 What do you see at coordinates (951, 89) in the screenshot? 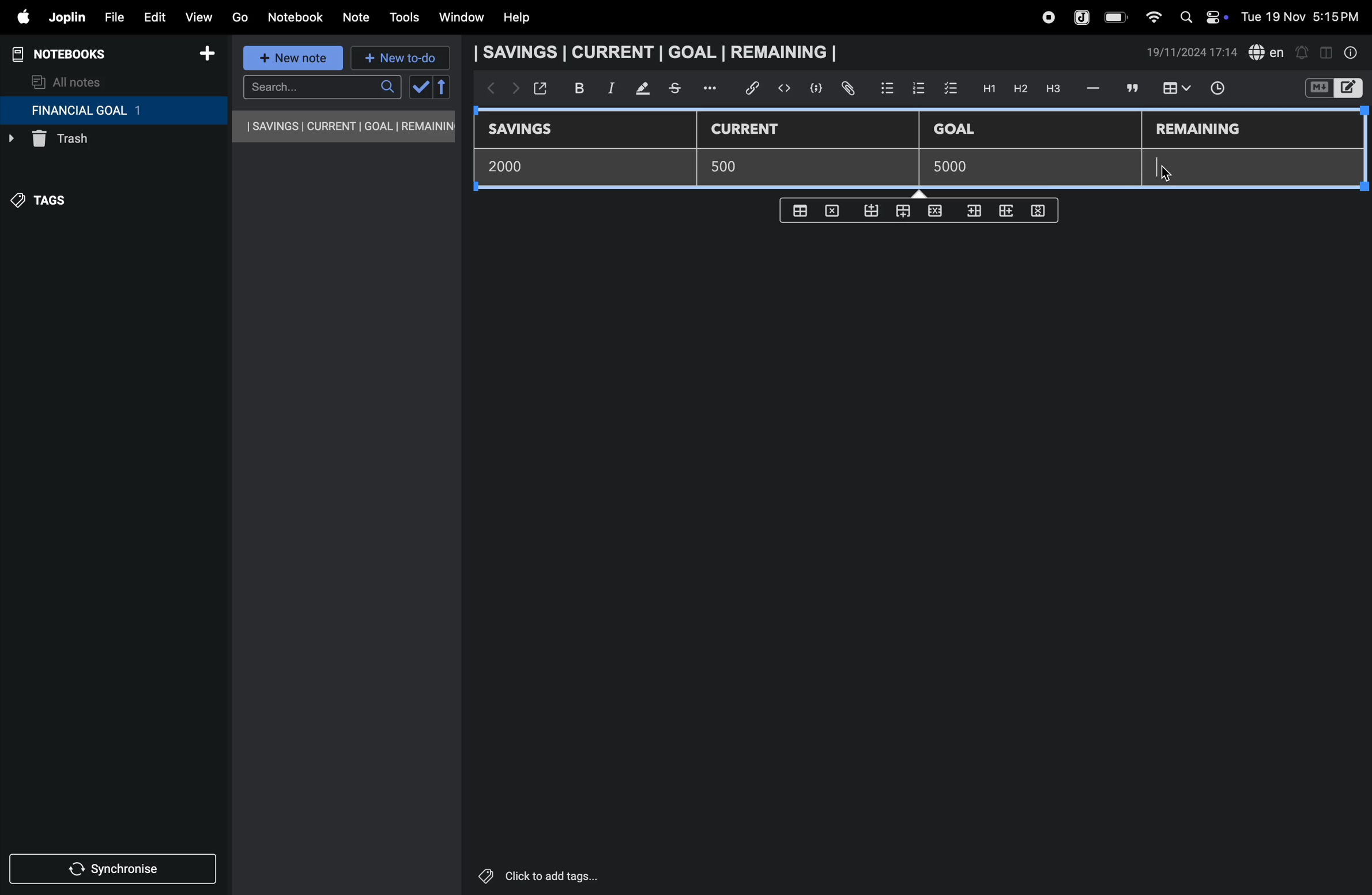
I see `check box` at bounding box center [951, 89].